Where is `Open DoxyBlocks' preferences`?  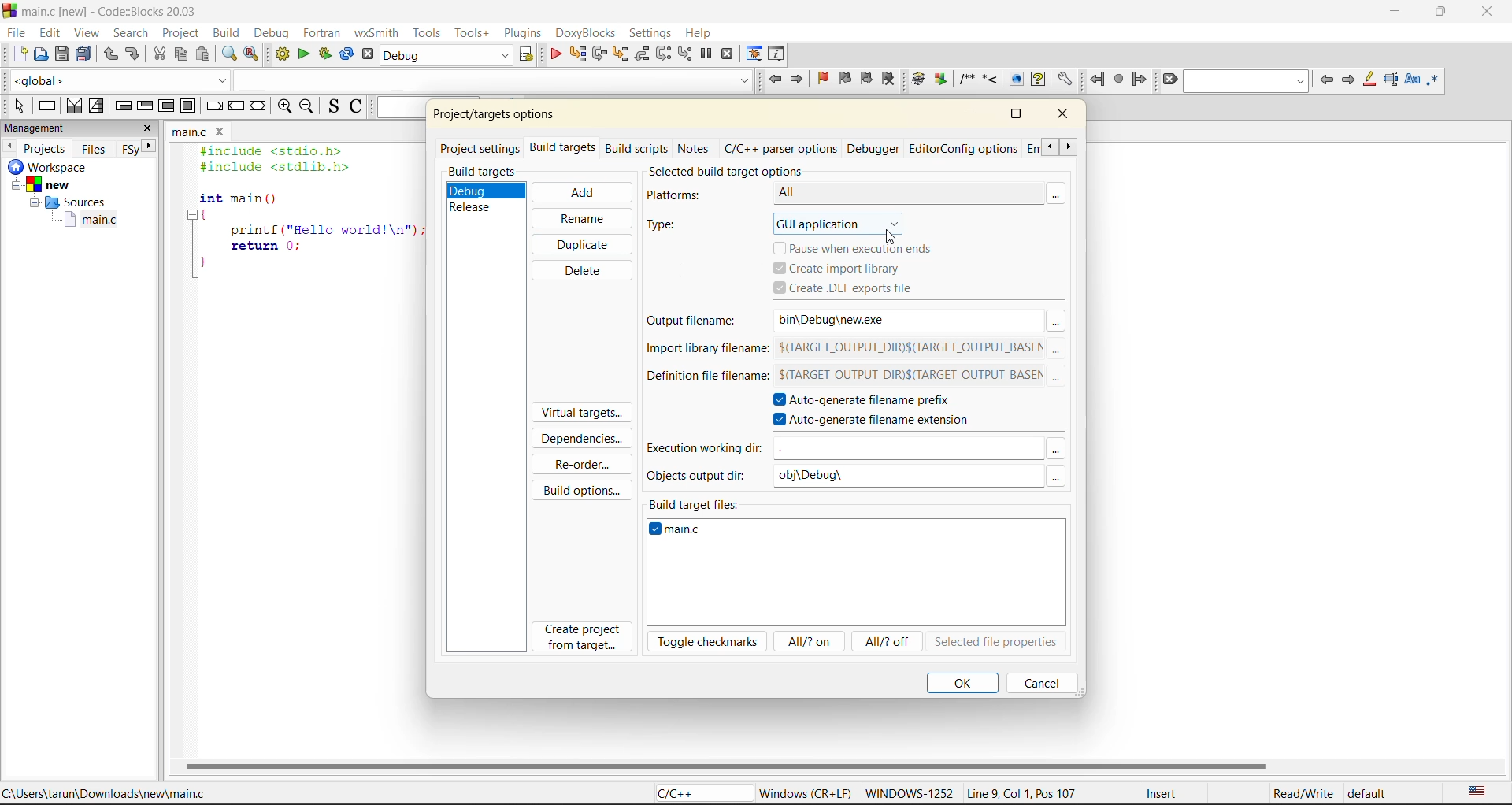 Open DoxyBlocks' preferences is located at coordinates (1063, 80).